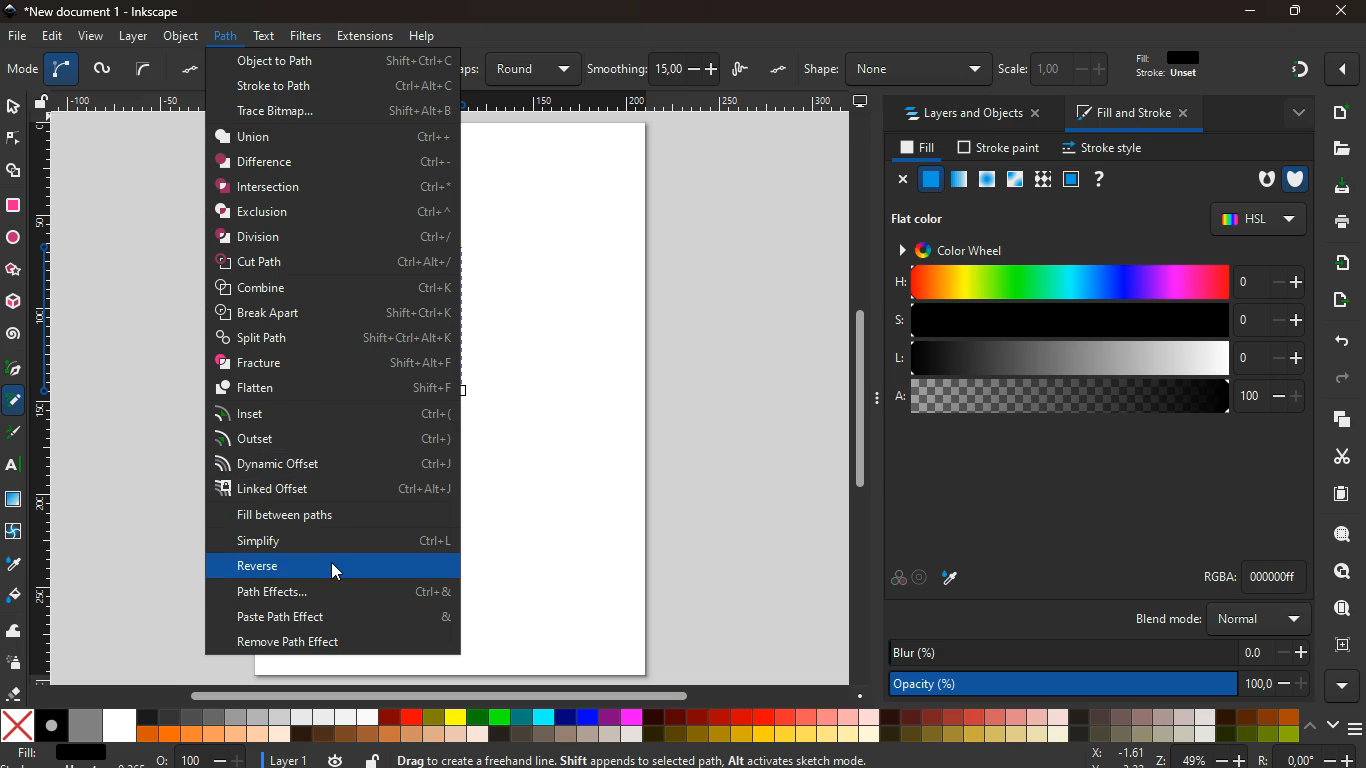 Image resolution: width=1366 pixels, height=768 pixels. Describe the element at coordinates (1296, 13) in the screenshot. I see `maximize` at that location.